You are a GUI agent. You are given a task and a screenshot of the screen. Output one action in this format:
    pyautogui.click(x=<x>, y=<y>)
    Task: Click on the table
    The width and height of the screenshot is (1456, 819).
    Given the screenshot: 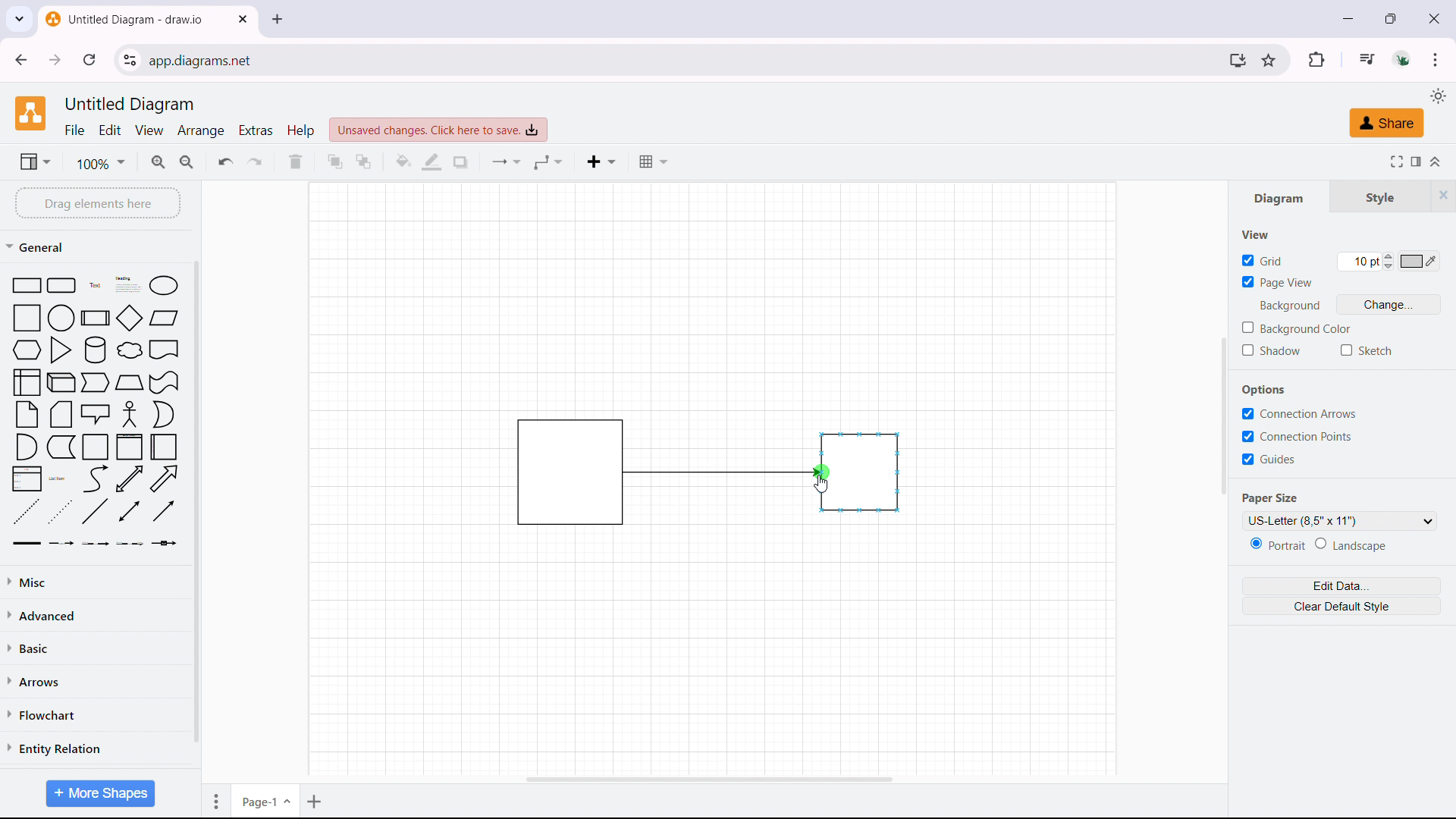 What is the action you would take?
    pyautogui.click(x=653, y=162)
    